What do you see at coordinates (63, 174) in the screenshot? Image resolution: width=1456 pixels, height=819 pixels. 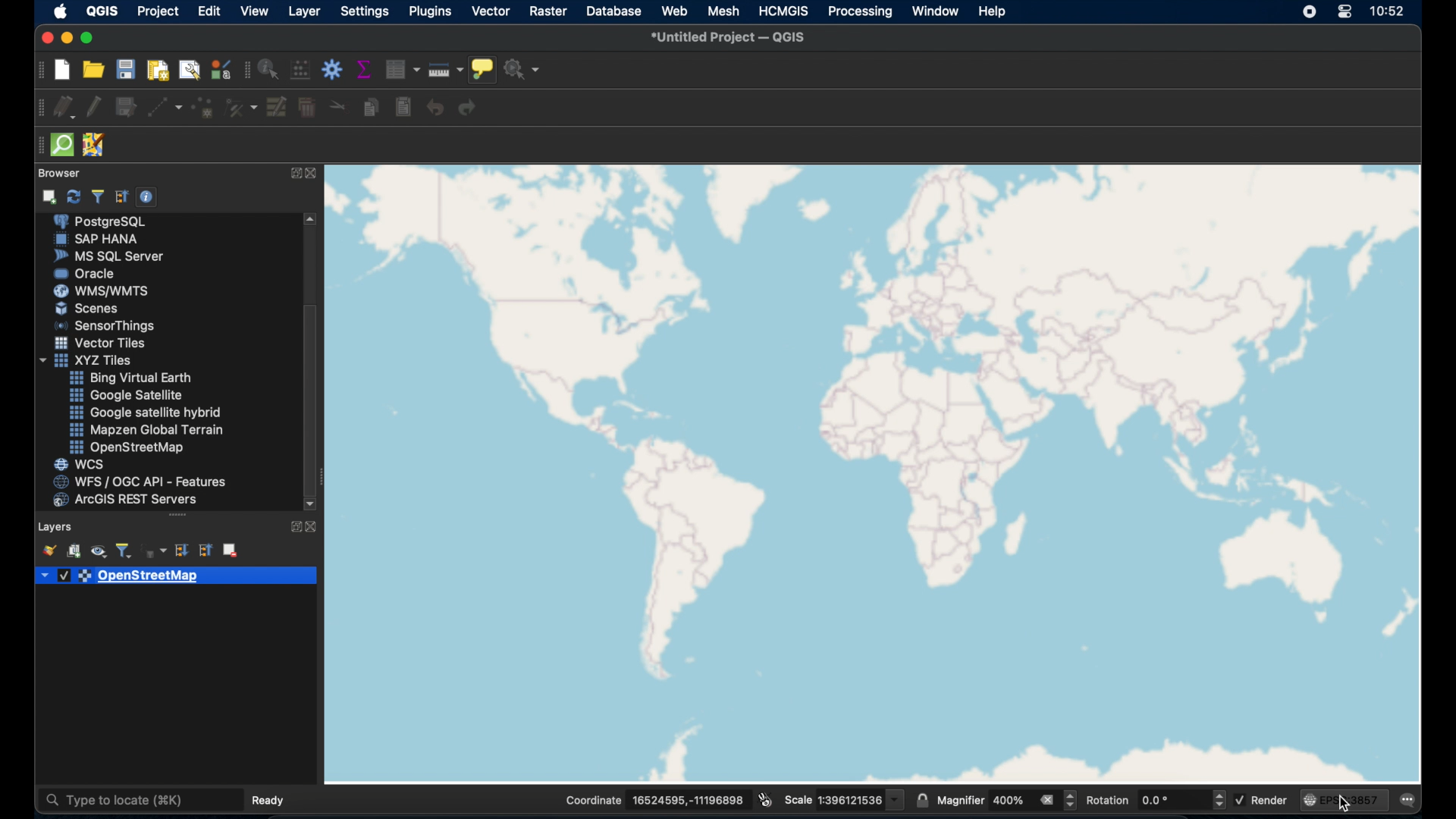 I see `browser` at bounding box center [63, 174].